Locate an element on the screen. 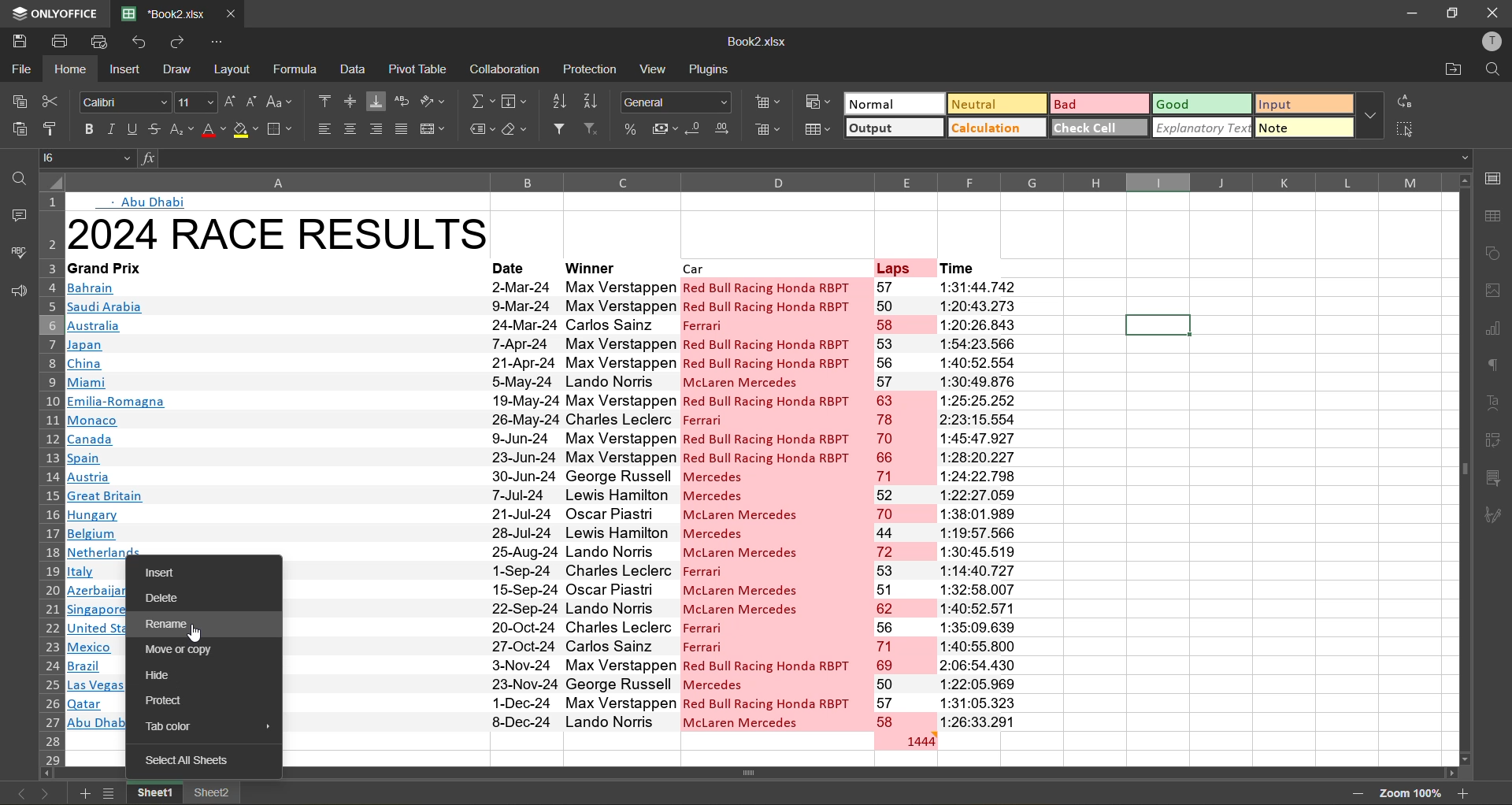 This screenshot has height=805, width=1512. align middle  is located at coordinates (353, 101).